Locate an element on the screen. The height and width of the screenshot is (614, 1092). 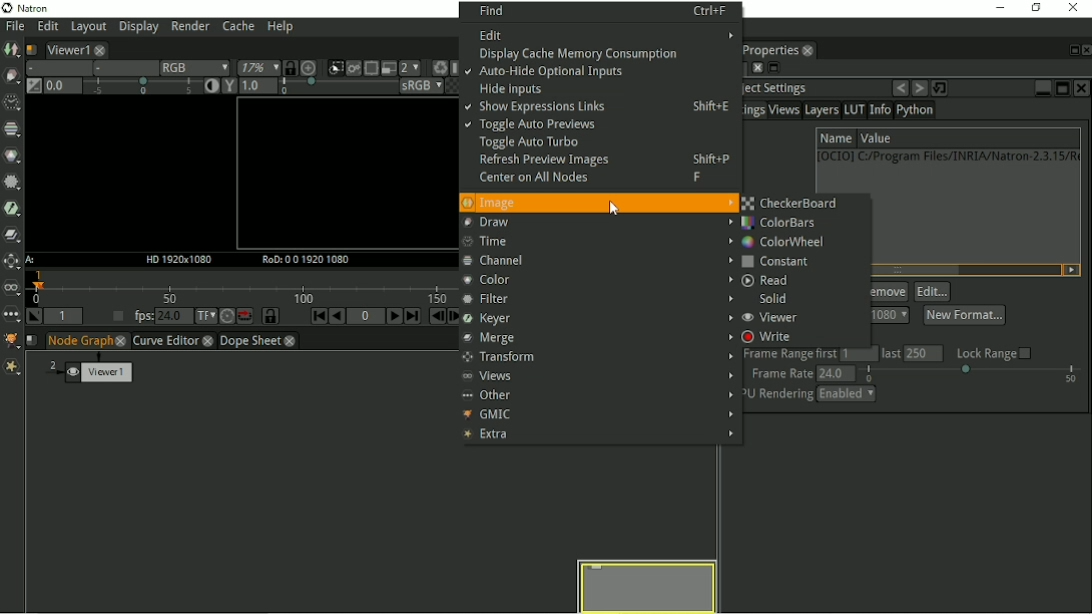
Image is located at coordinates (12, 50).